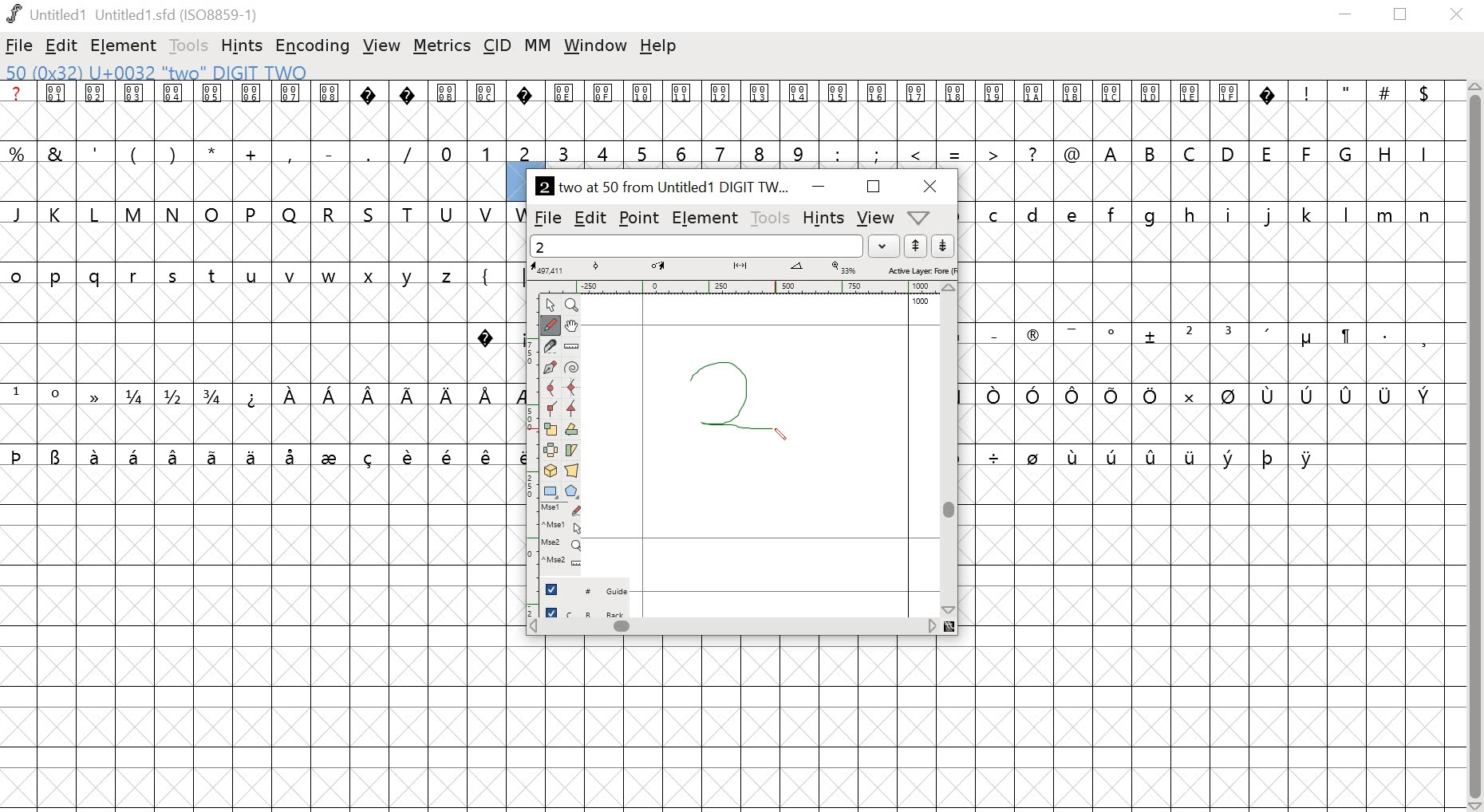  I want to click on measurement, so click(741, 269).